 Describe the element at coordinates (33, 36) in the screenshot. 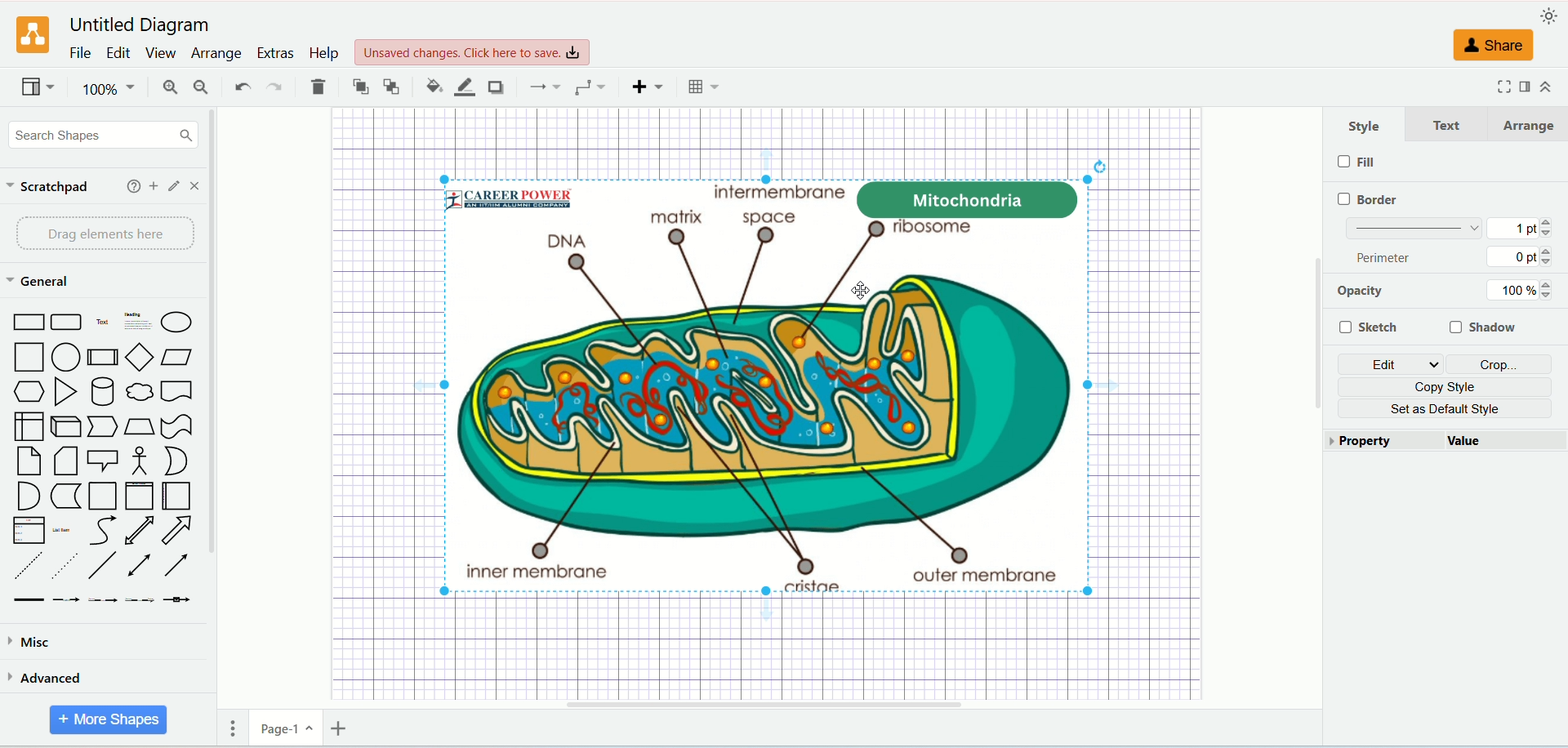

I see `logo` at that location.